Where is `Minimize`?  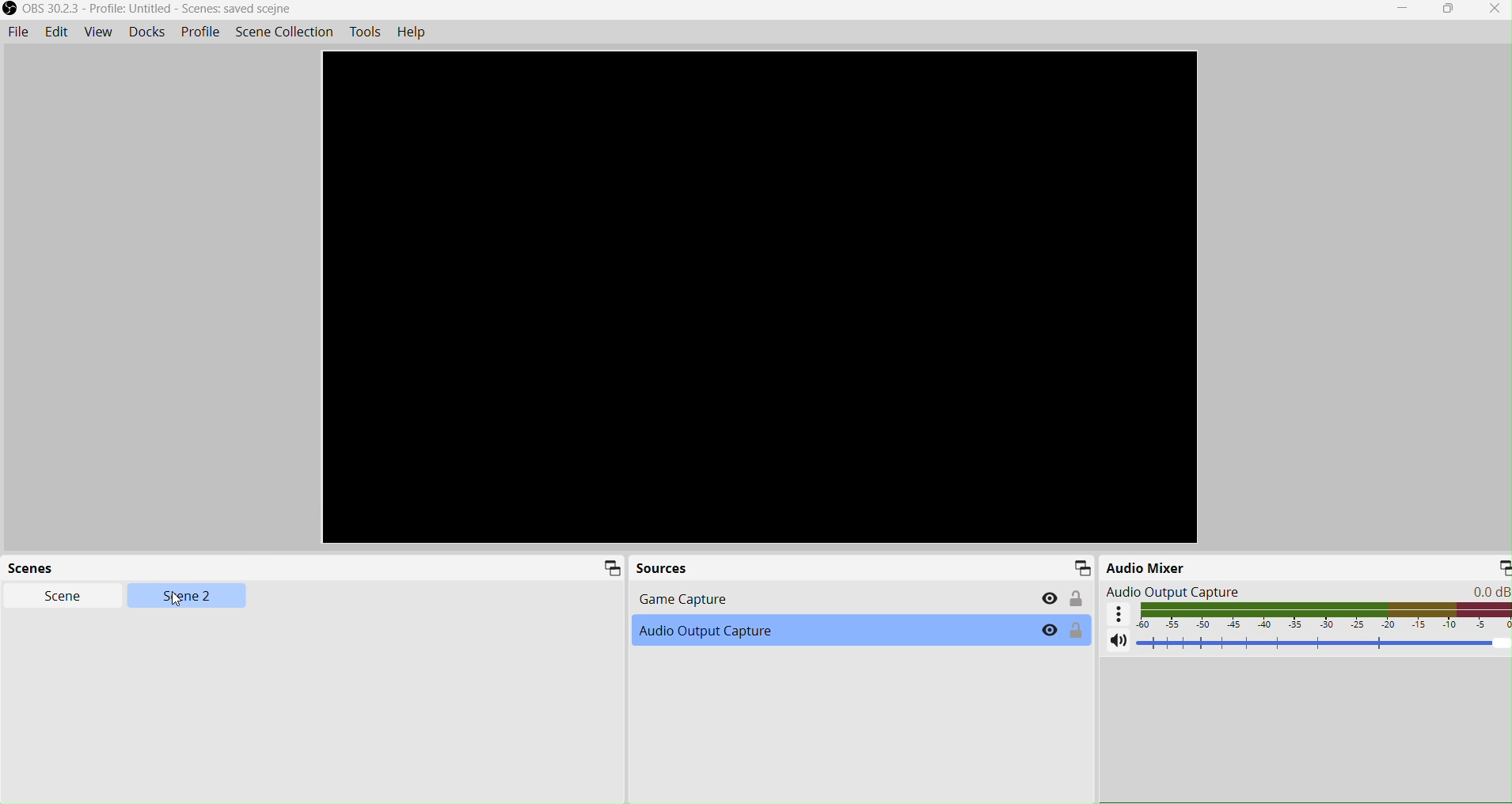
Minimize is located at coordinates (1492, 567).